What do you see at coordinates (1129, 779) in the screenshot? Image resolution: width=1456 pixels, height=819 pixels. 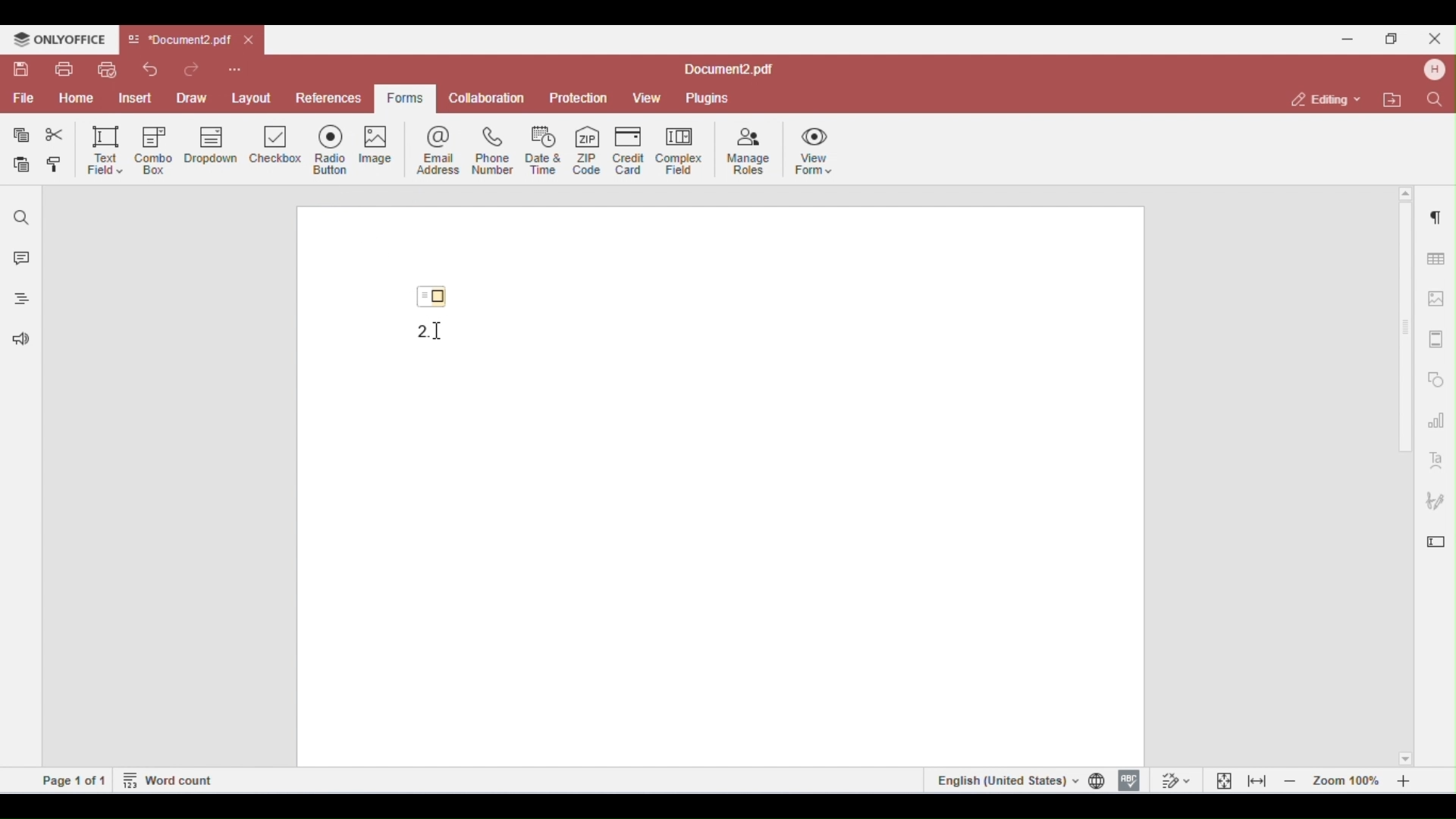 I see `spelling` at bounding box center [1129, 779].